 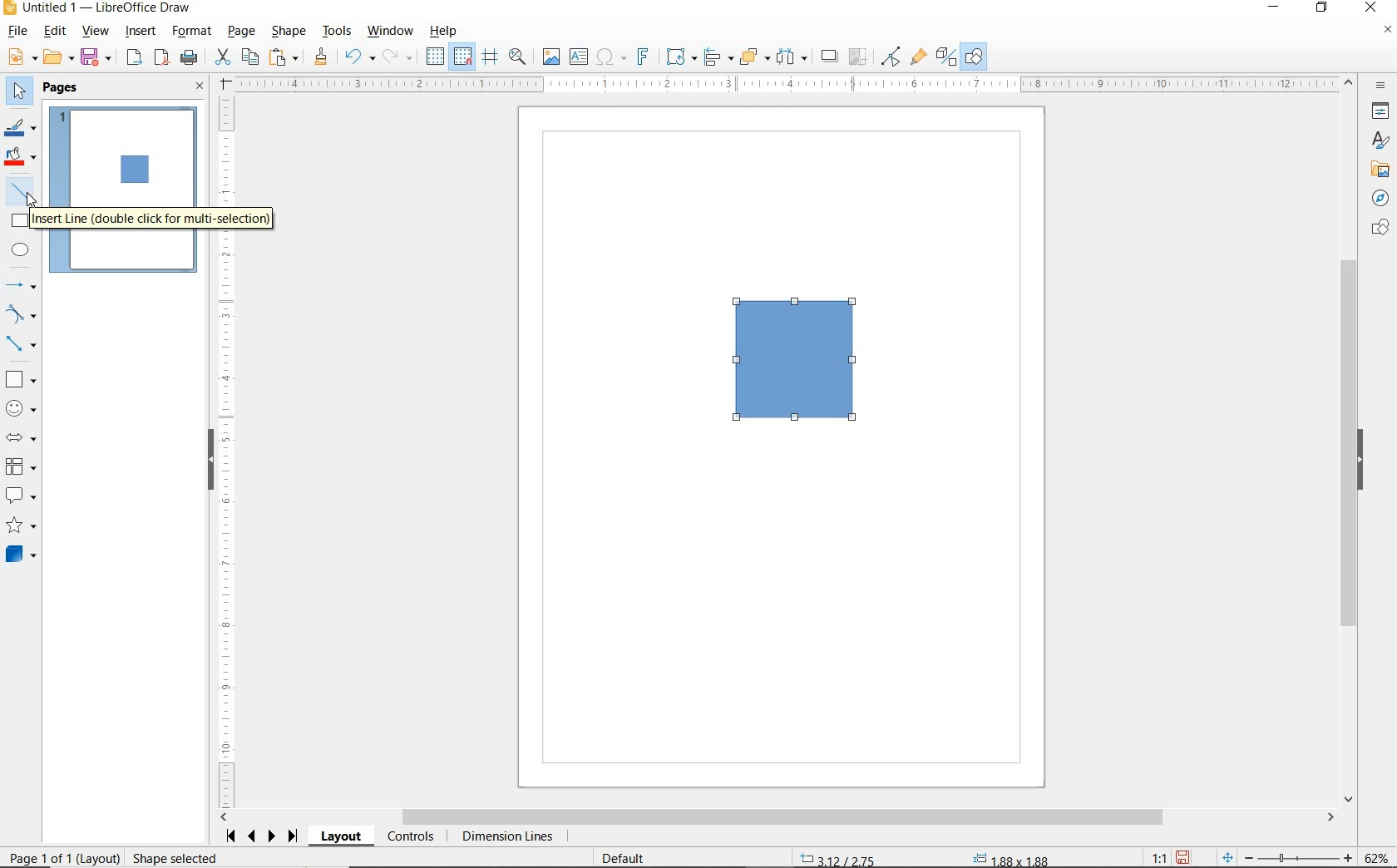 What do you see at coordinates (289, 32) in the screenshot?
I see `SHAPE` at bounding box center [289, 32].